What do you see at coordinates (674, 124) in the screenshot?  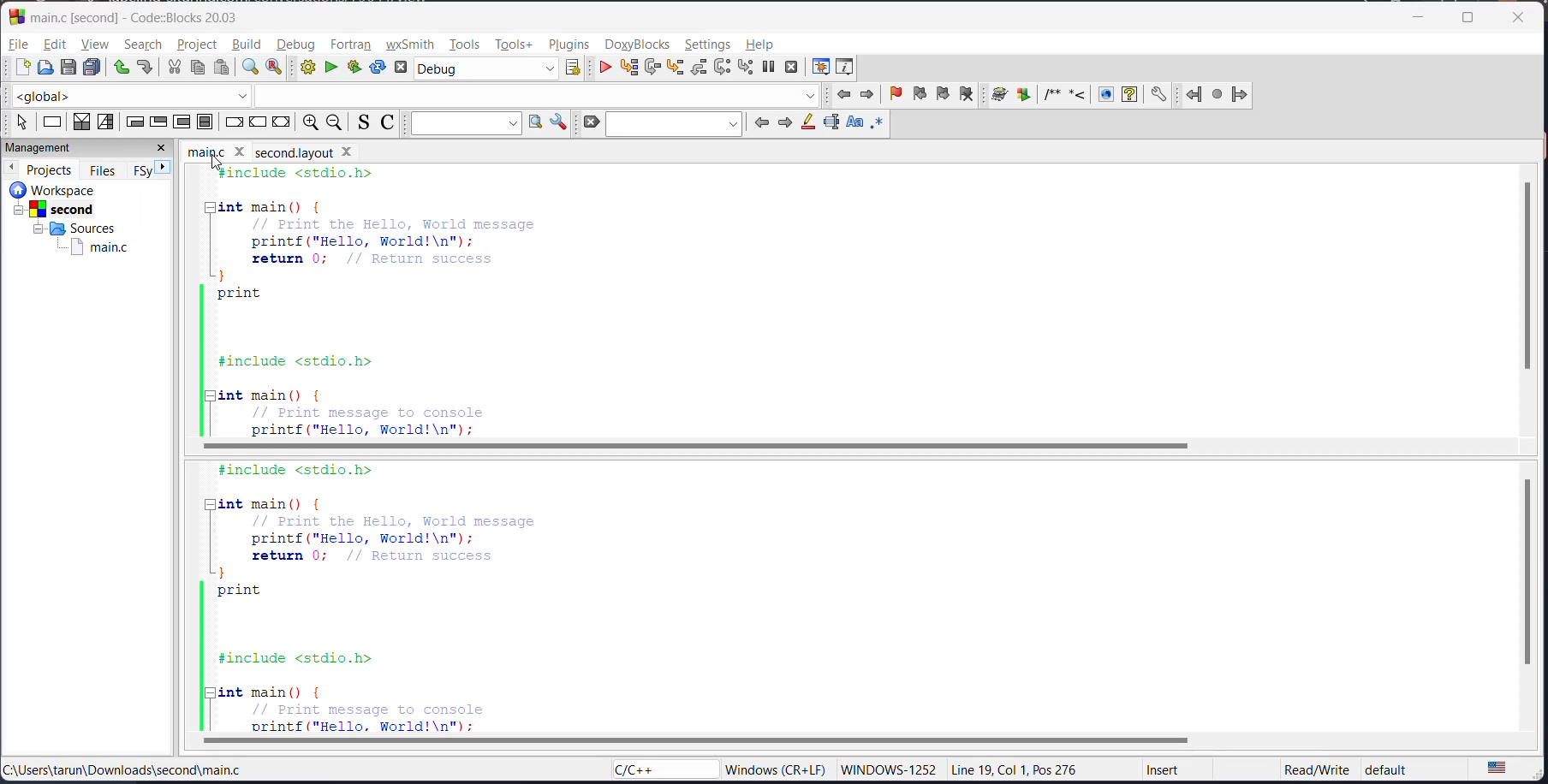 I see `search` at bounding box center [674, 124].